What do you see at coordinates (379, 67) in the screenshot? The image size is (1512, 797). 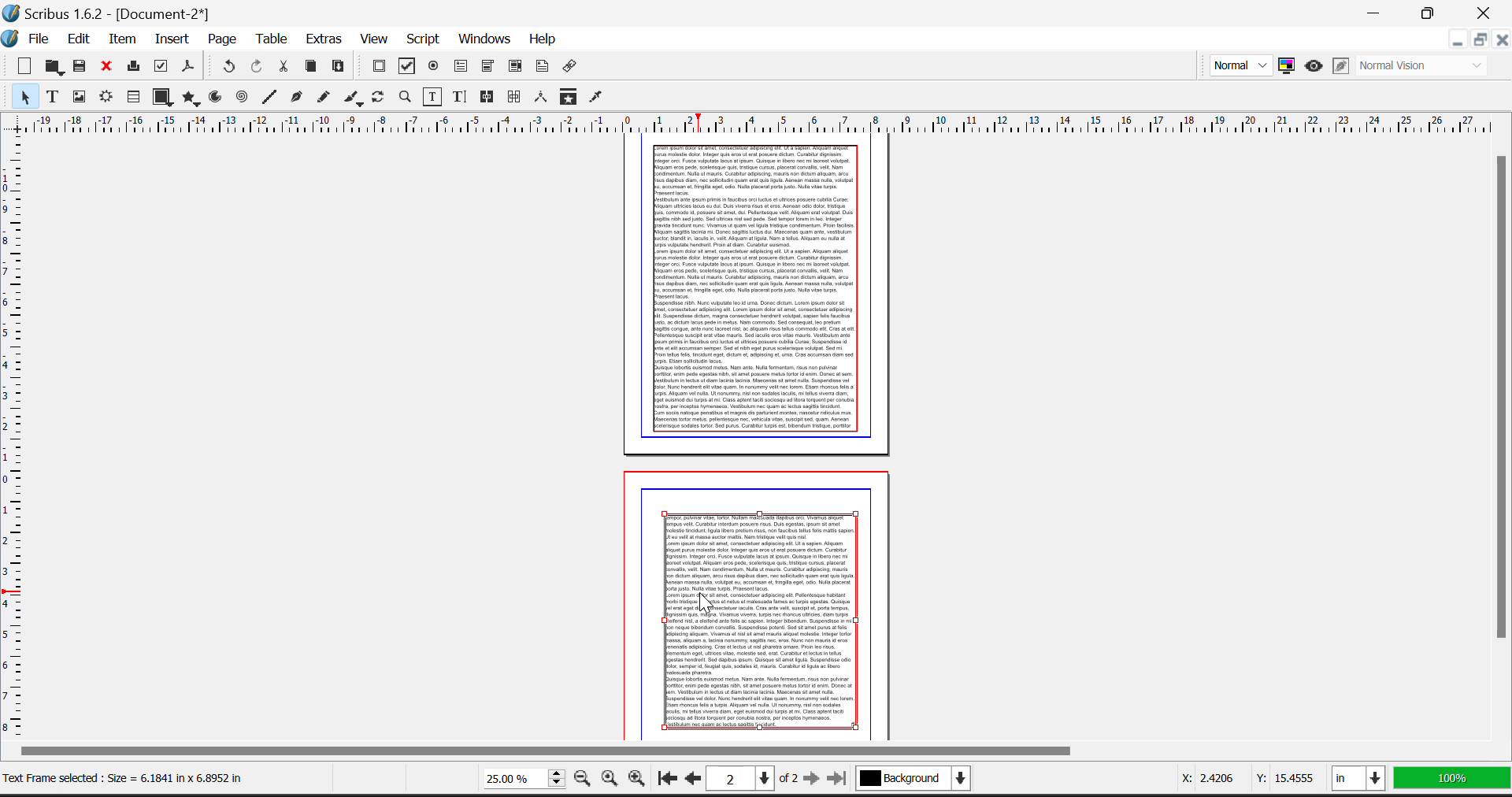 I see `PDF Checkbox` at bounding box center [379, 67].